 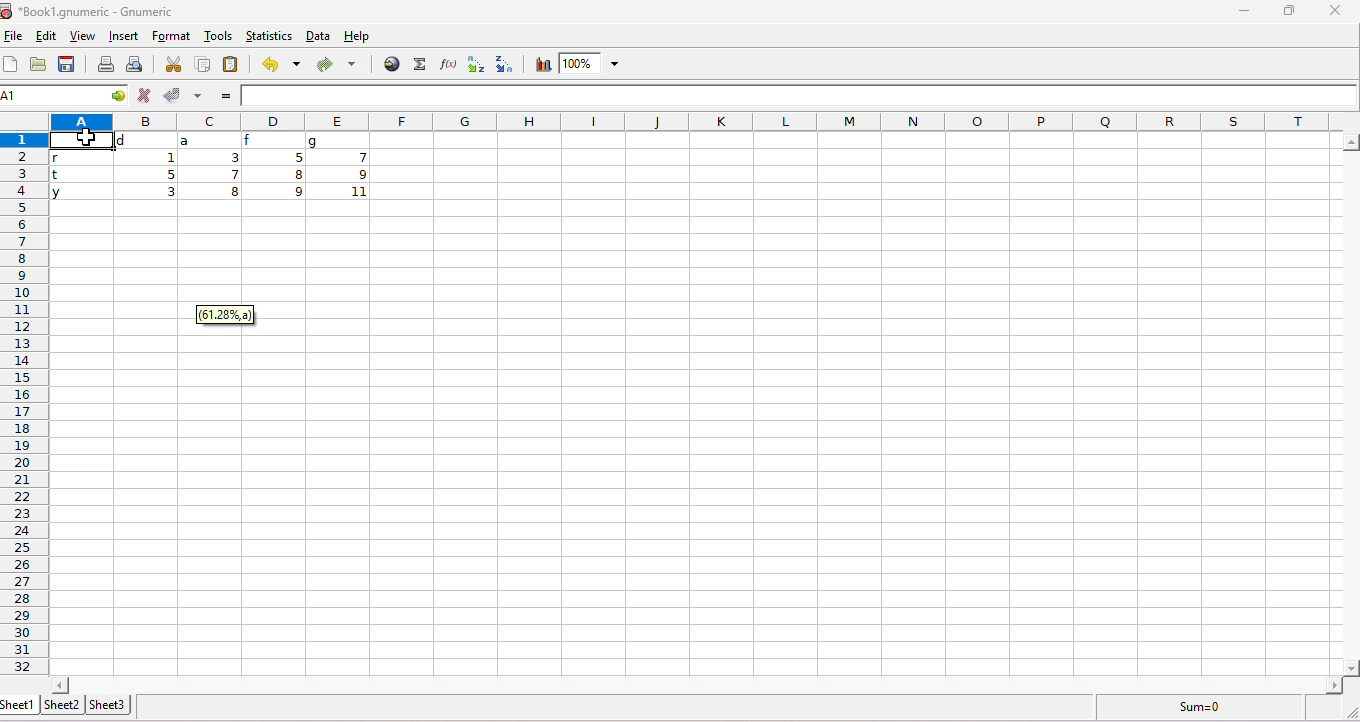 What do you see at coordinates (107, 704) in the screenshot?
I see `sheet3` at bounding box center [107, 704].